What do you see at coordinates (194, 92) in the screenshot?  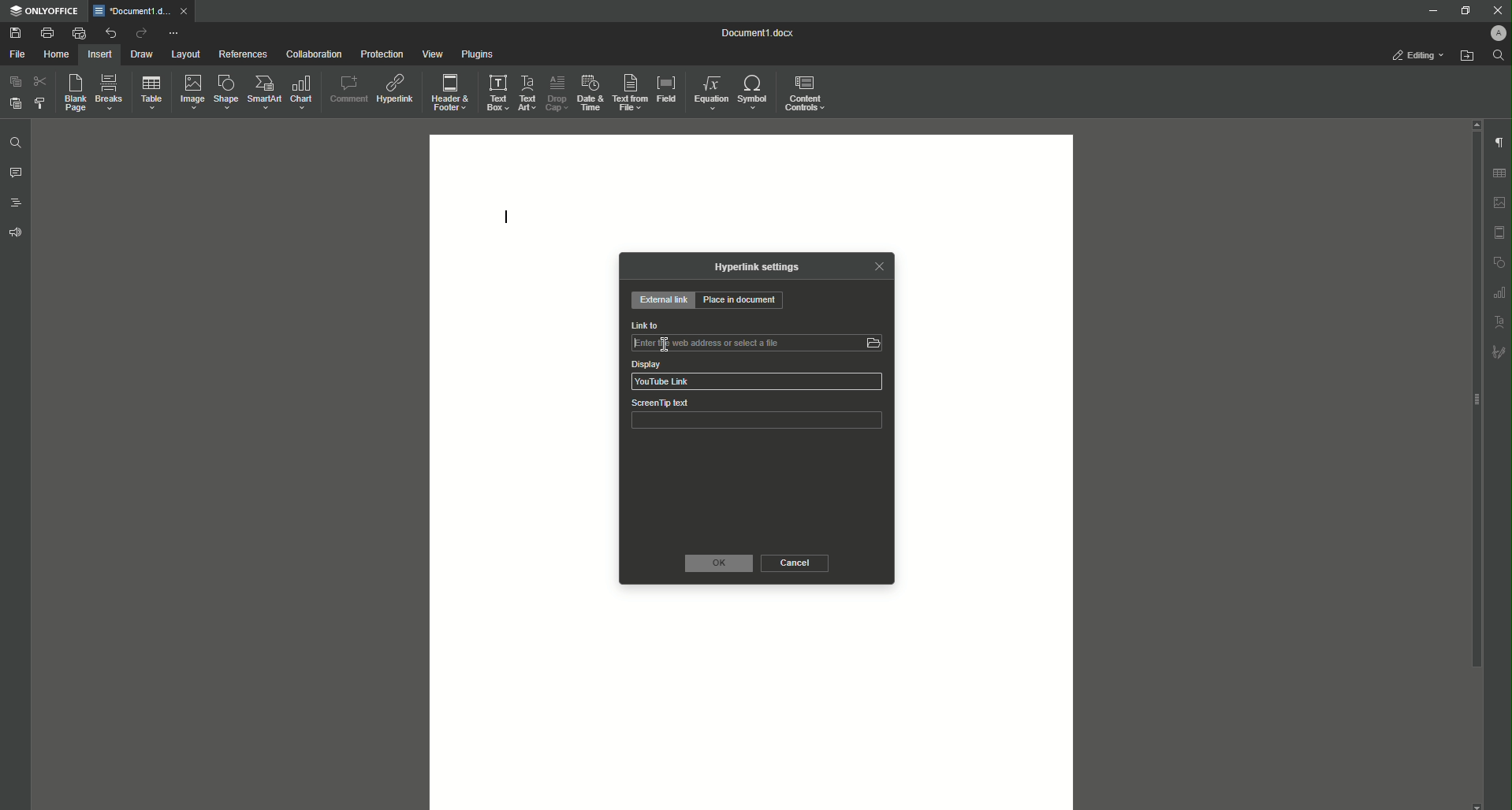 I see `Image` at bounding box center [194, 92].